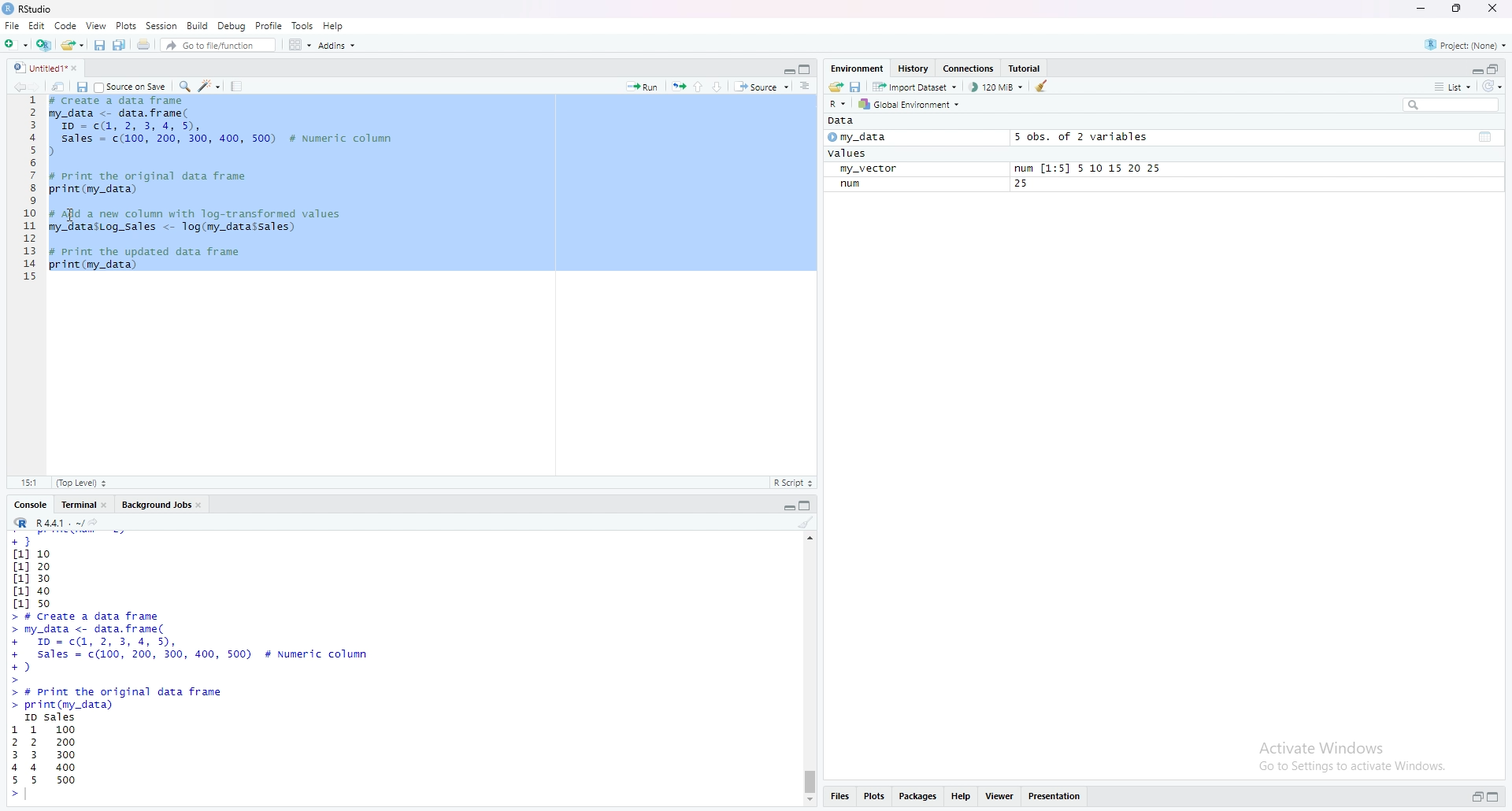 The height and width of the screenshot is (811, 1512). Describe the element at coordinates (876, 169) in the screenshot. I see `my_vector` at that location.